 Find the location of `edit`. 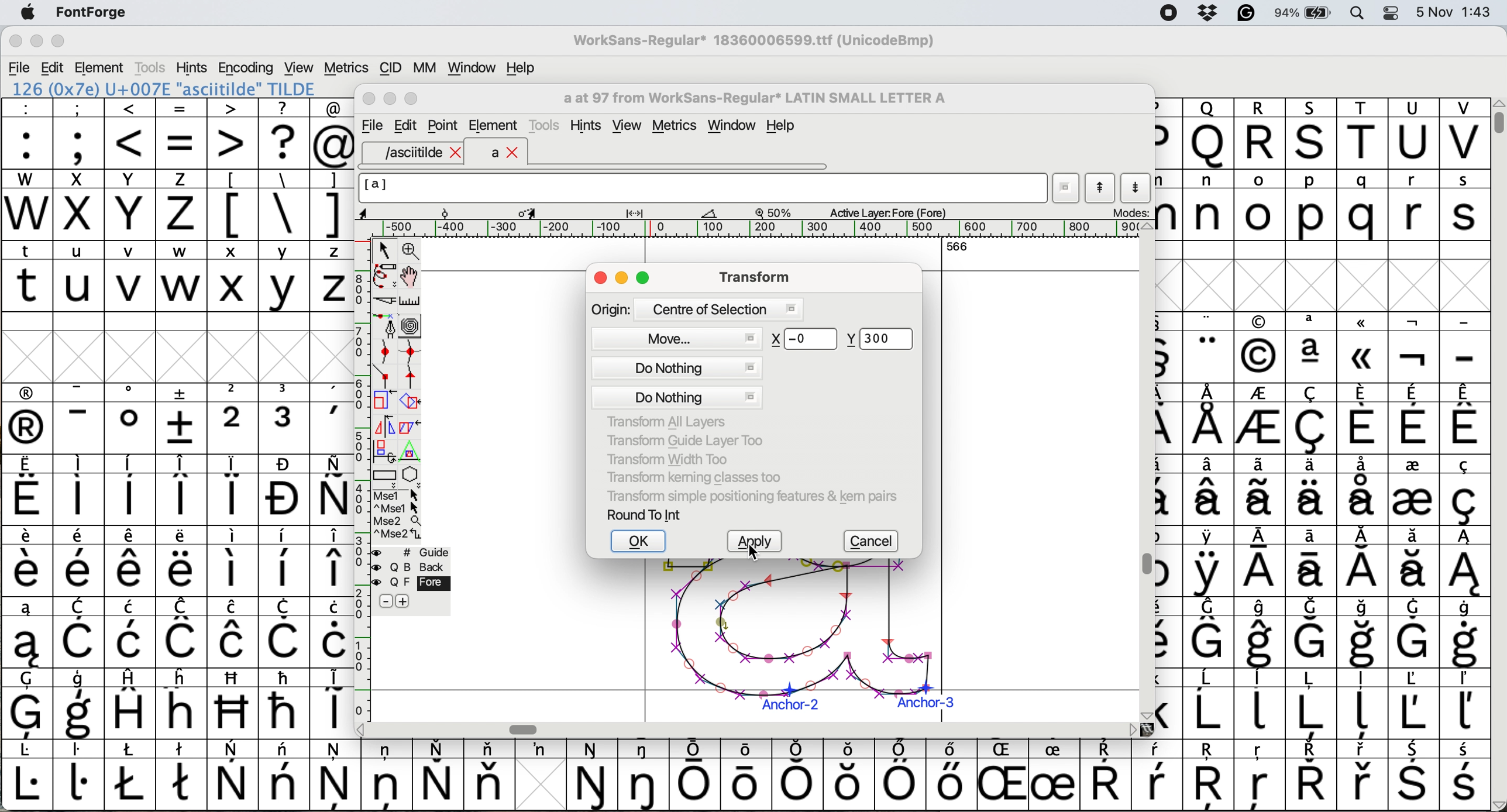

edit is located at coordinates (54, 68).